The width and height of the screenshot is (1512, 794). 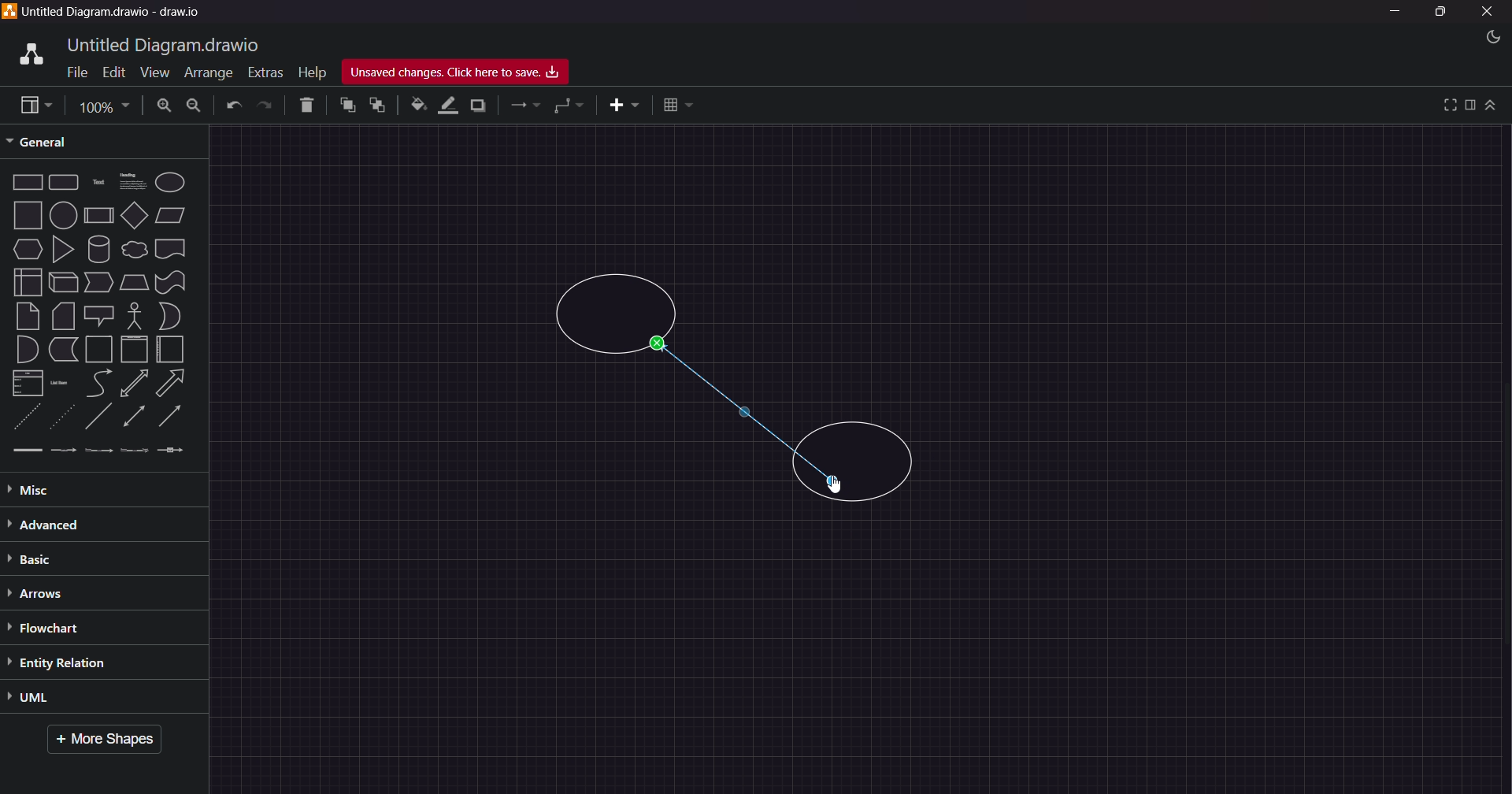 What do you see at coordinates (110, 740) in the screenshot?
I see `More Shapes` at bounding box center [110, 740].